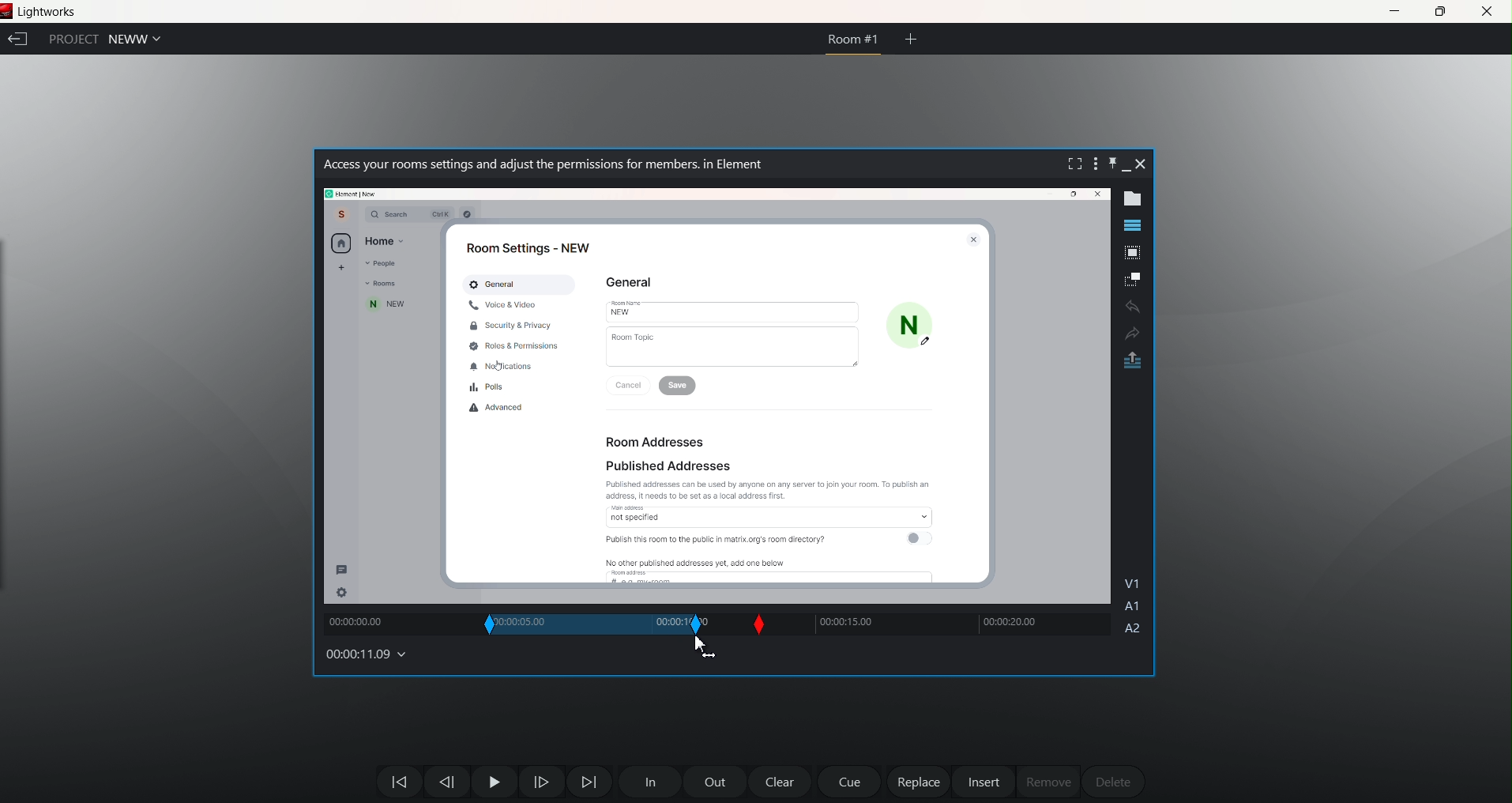 The height and width of the screenshot is (803, 1512). What do you see at coordinates (631, 282) in the screenshot?
I see `General` at bounding box center [631, 282].